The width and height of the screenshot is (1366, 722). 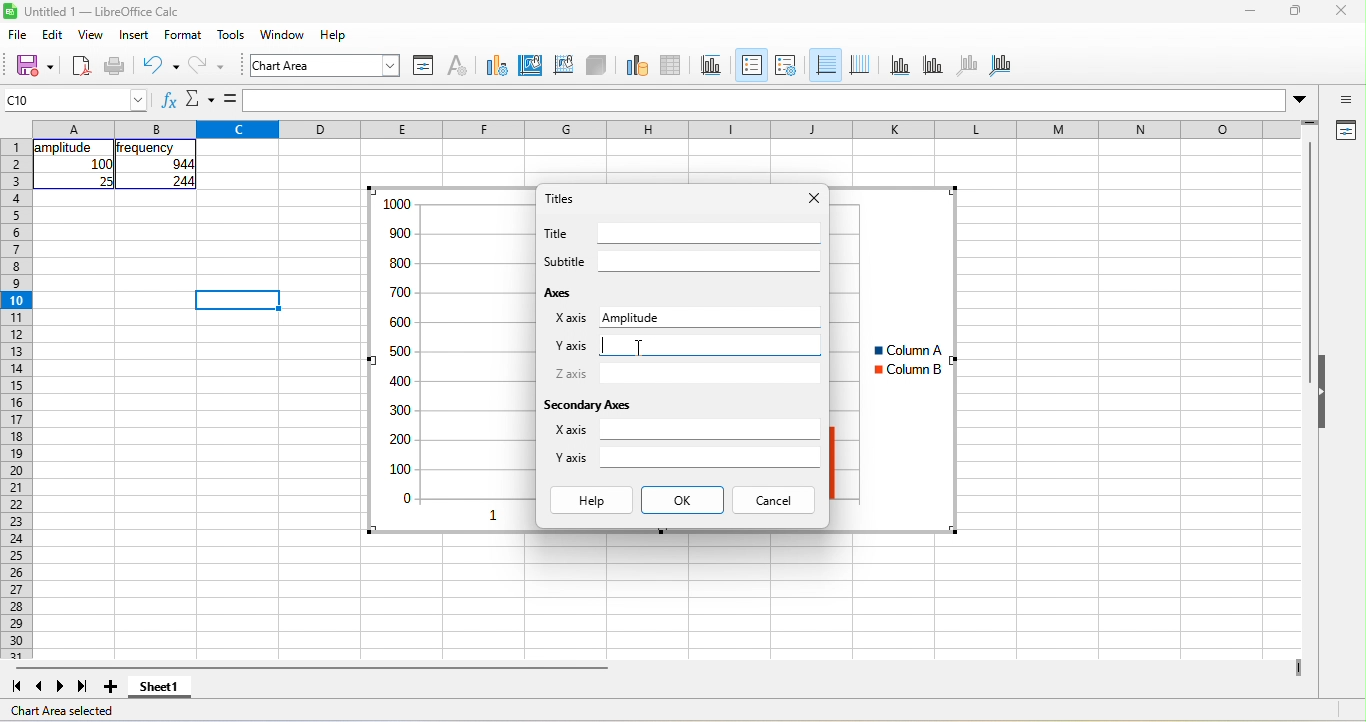 I want to click on cell name, so click(x=74, y=100).